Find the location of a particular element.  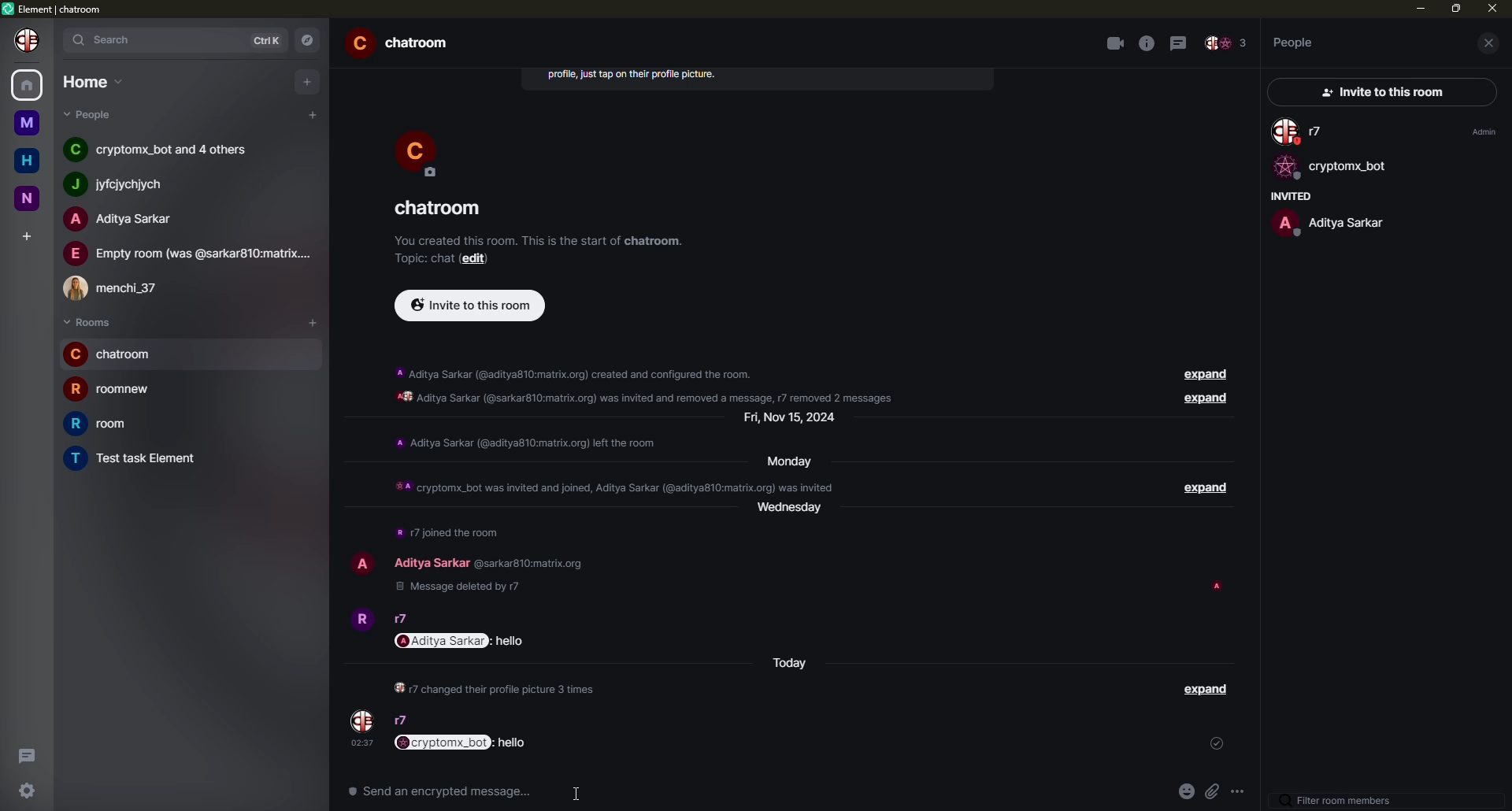

threads is located at coordinates (1181, 42).